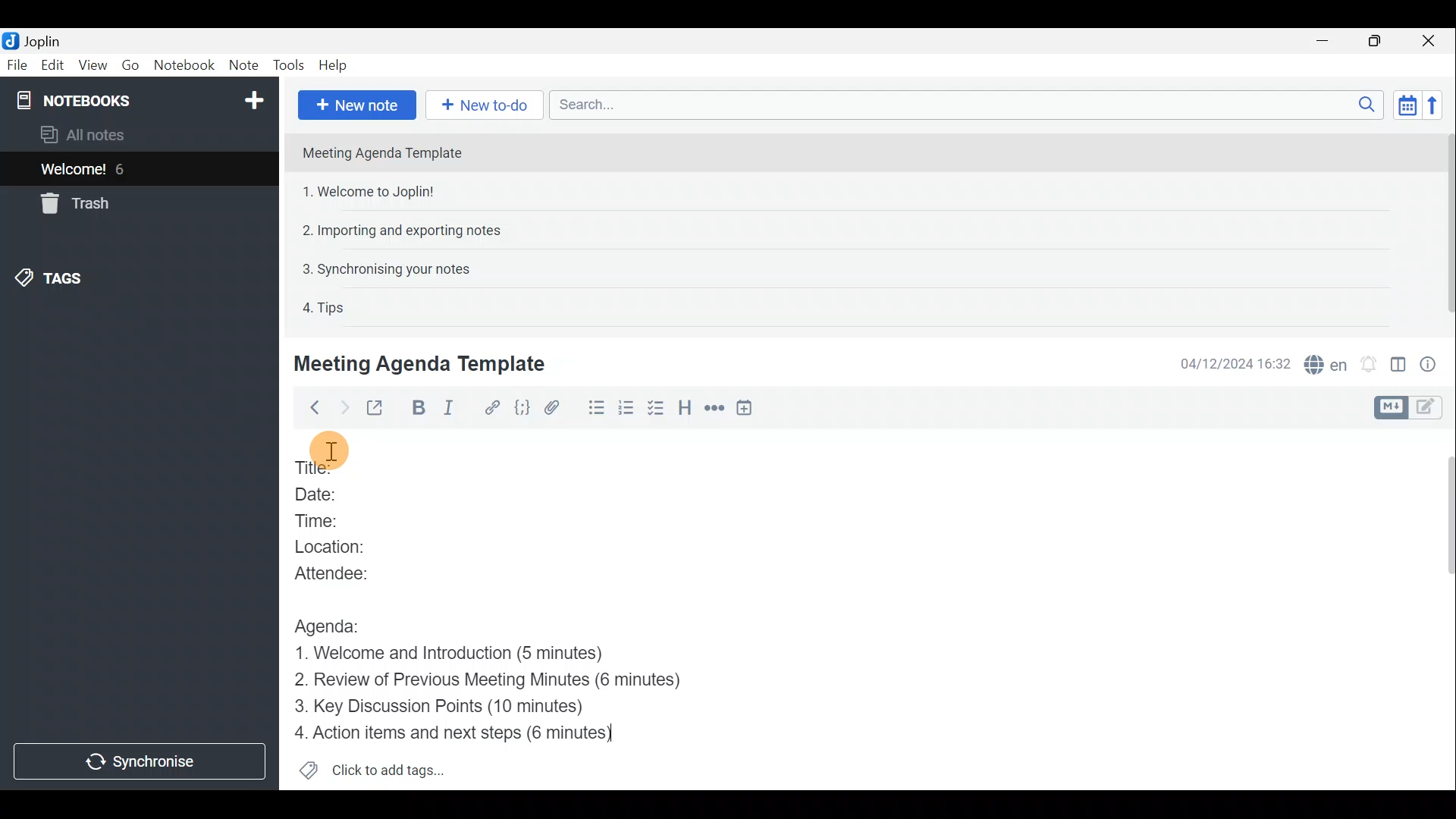  I want to click on Agenda:, so click(337, 624).